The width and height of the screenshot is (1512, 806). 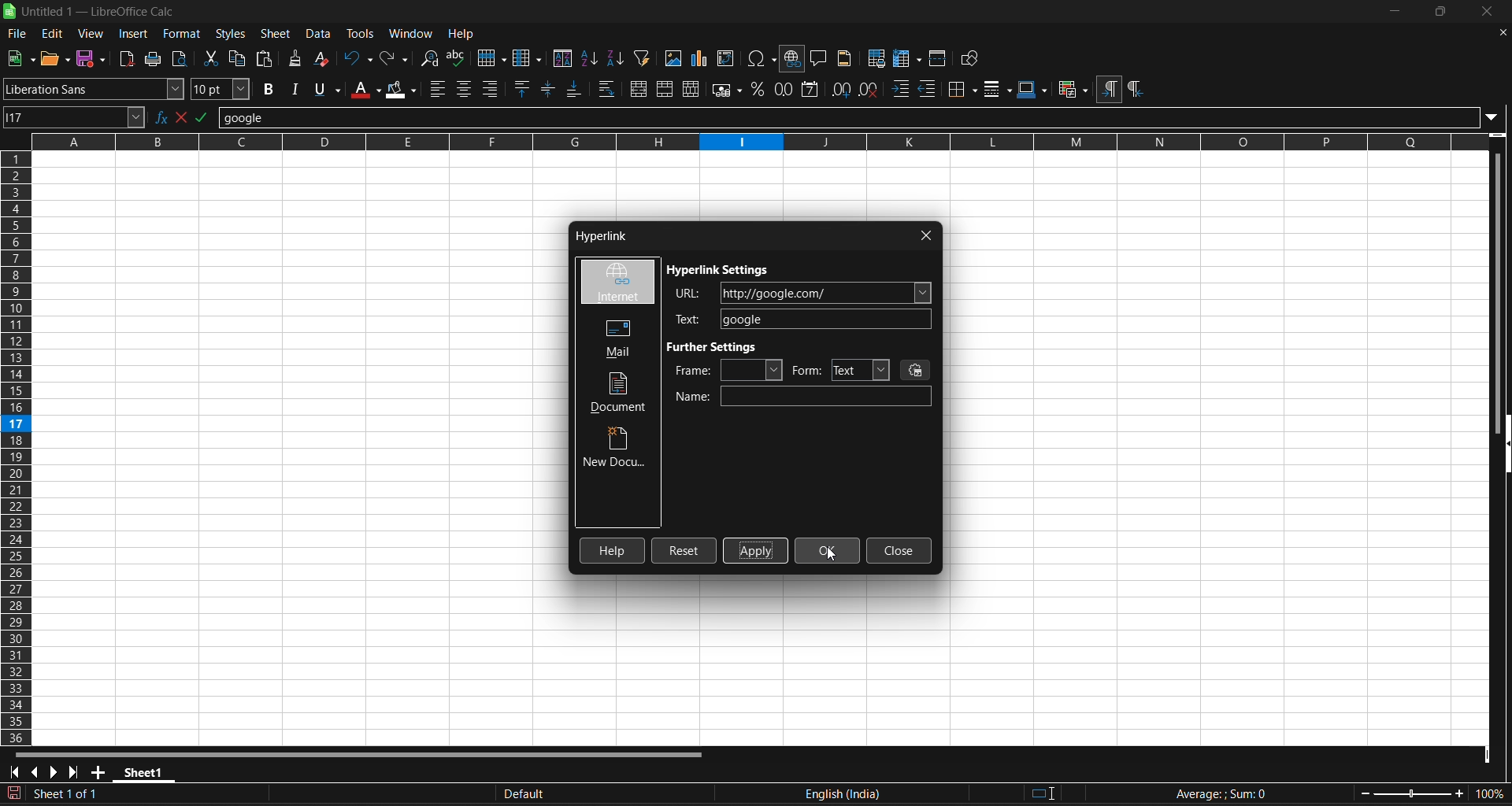 What do you see at coordinates (927, 235) in the screenshot?
I see `close` at bounding box center [927, 235].